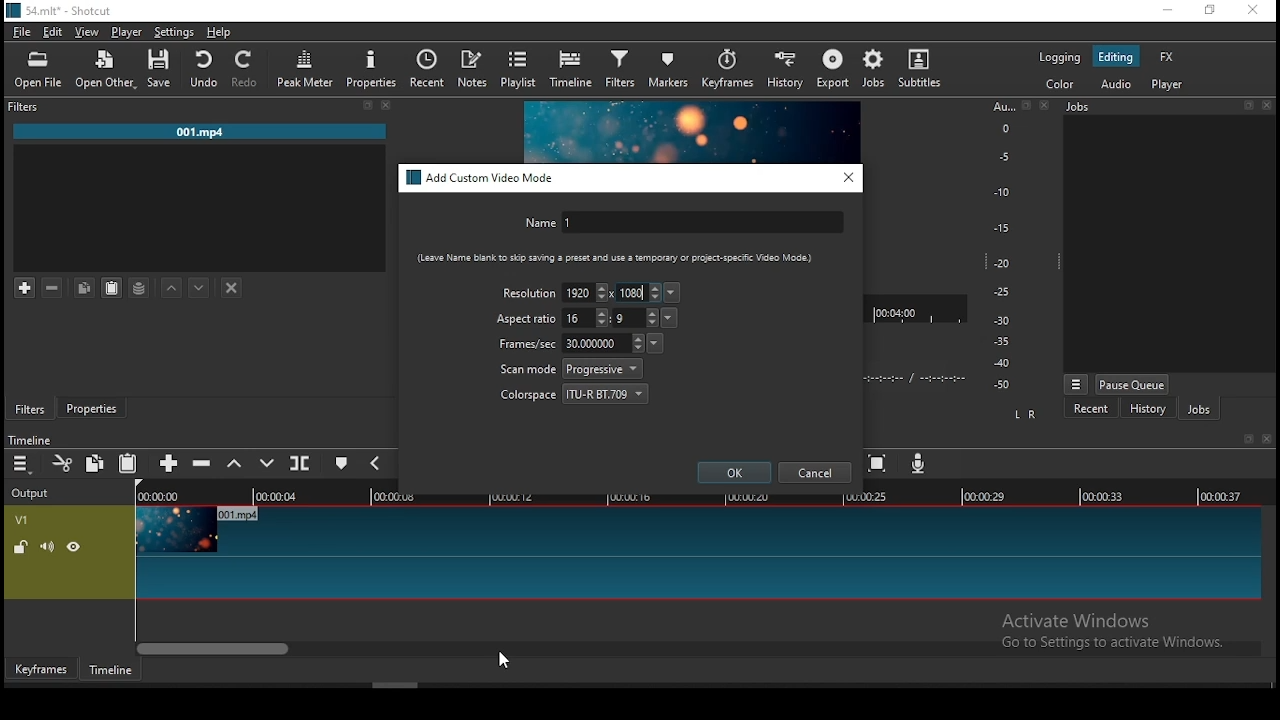 This screenshot has height=720, width=1280. I want to click on cut, so click(63, 463).